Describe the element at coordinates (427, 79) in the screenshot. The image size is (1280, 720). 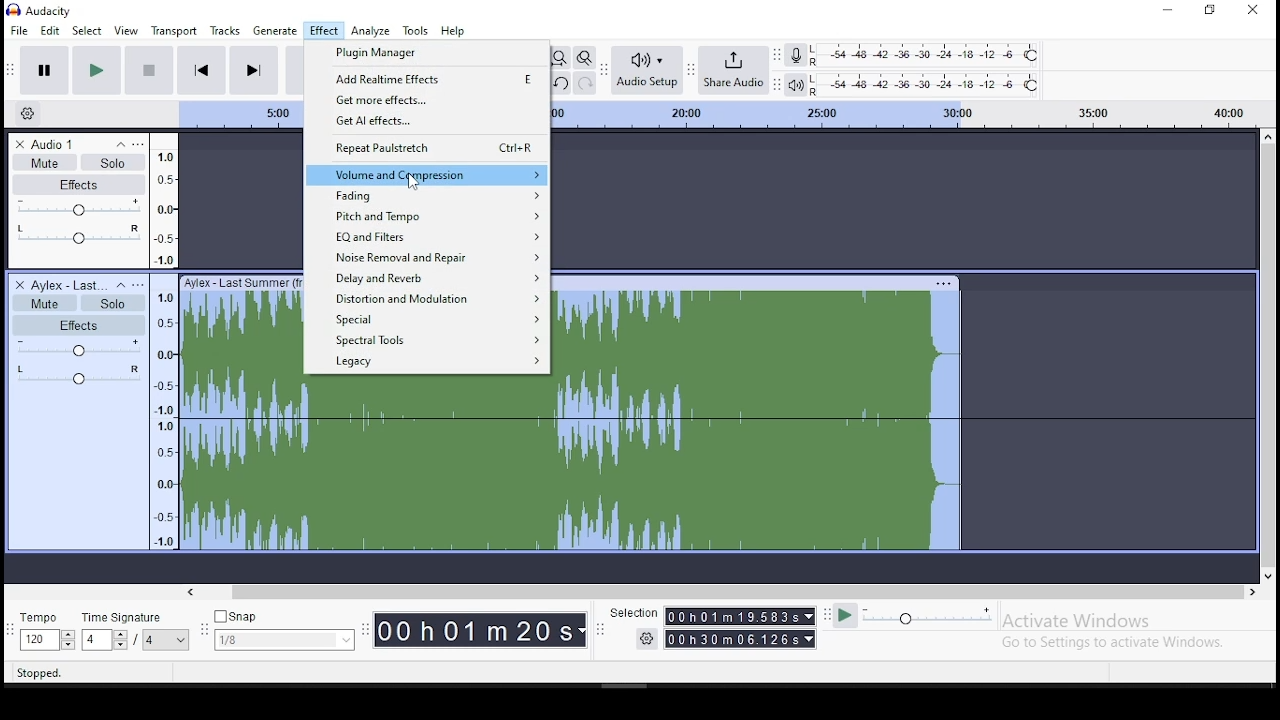
I see `add realtime` at that location.